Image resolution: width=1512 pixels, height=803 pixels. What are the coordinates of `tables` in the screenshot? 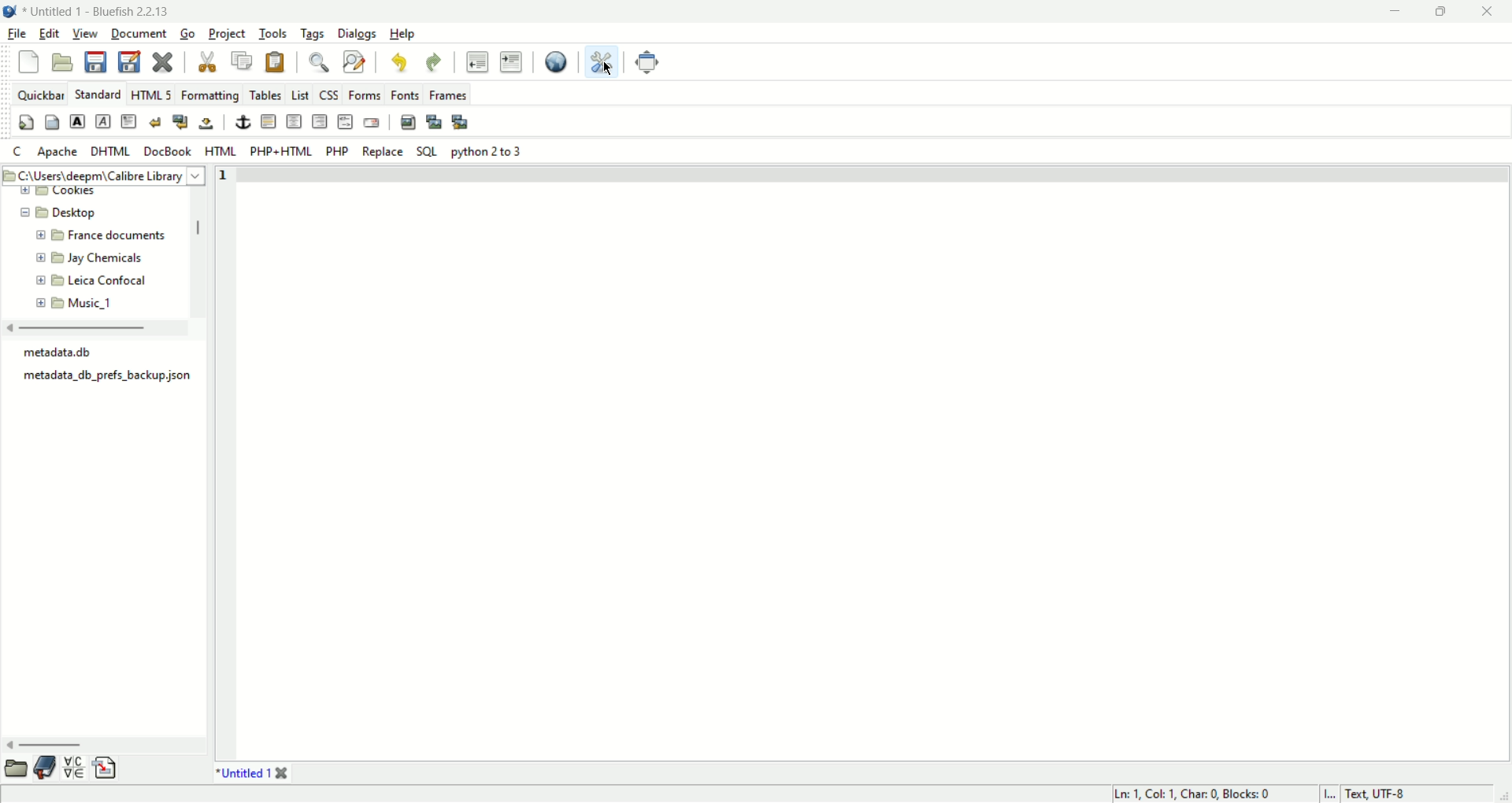 It's located at (266, 95).